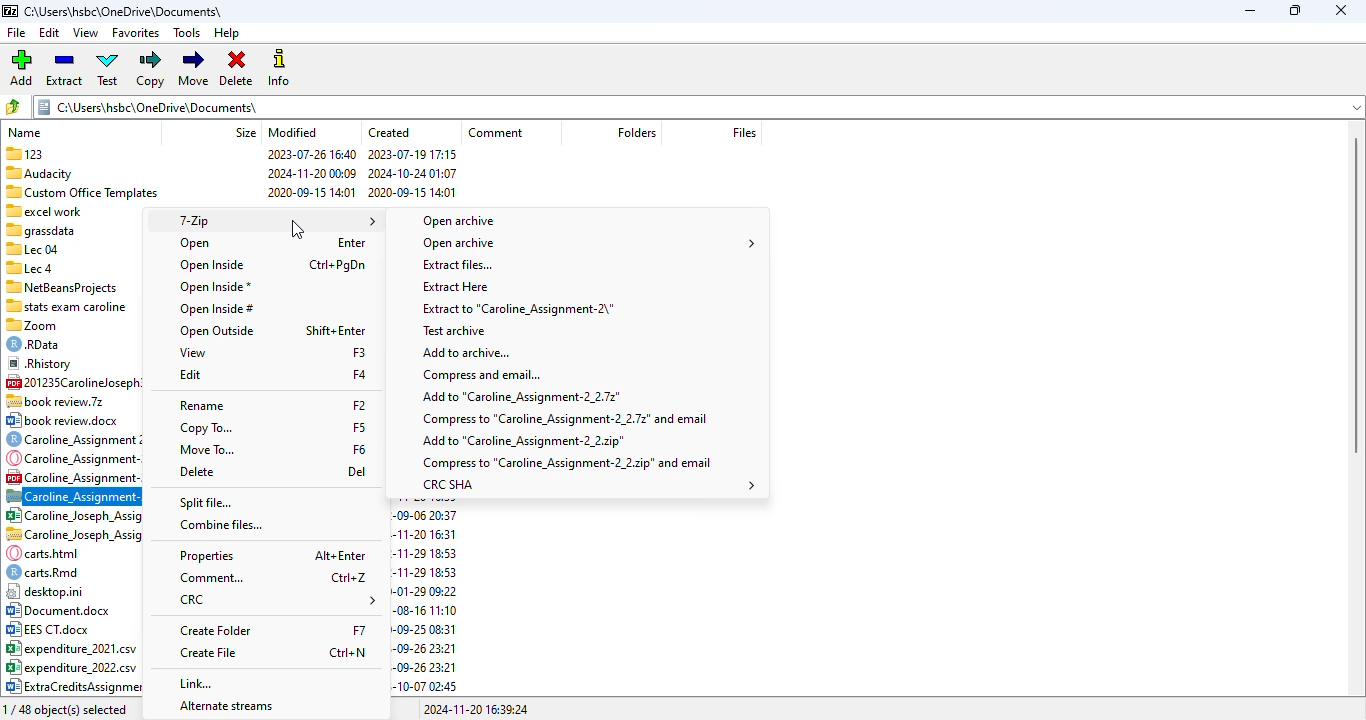 This screenshot has width=1366, height=720. I want to click on shortcut for create file, so click(347, 652).